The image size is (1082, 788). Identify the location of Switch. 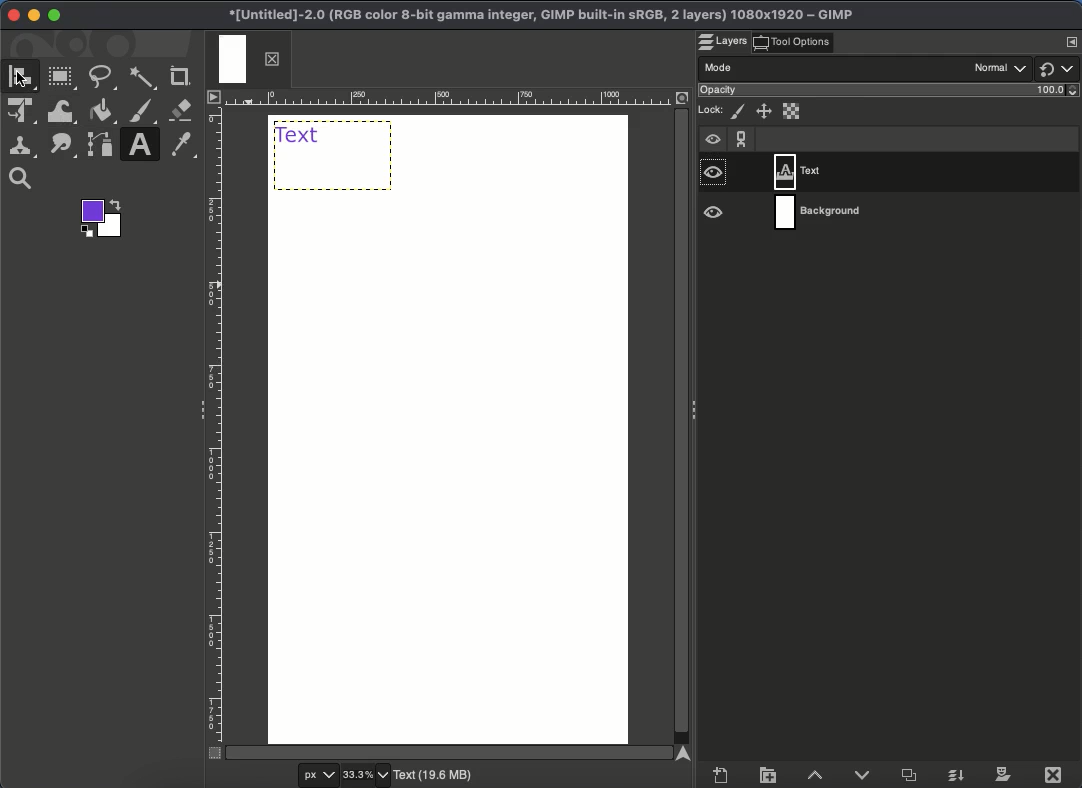
(1058, 69).